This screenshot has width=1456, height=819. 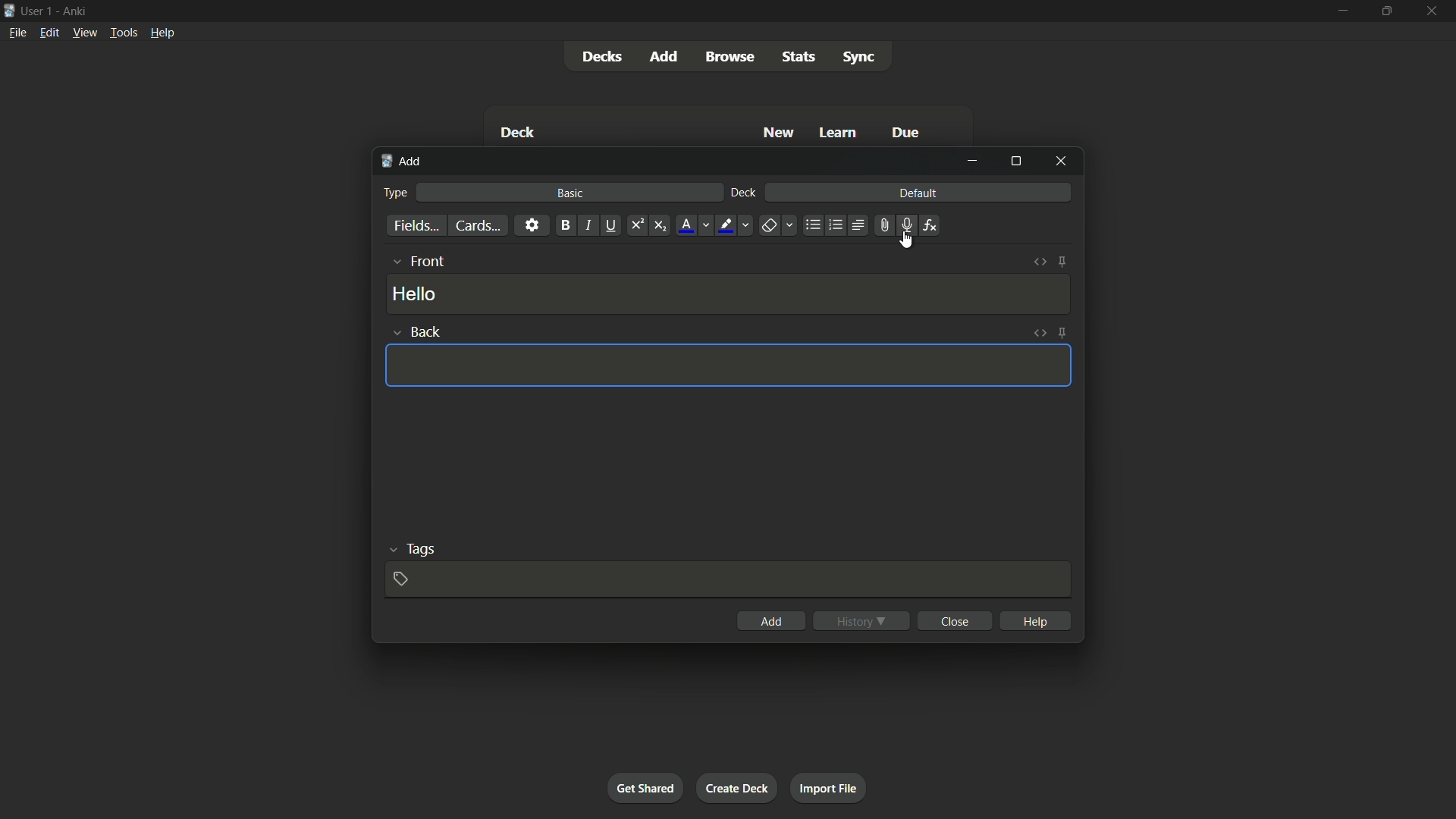 What do you see at coordinates (665, 57) in the screenshot?
I see `add` at bounding box center [665, 57].